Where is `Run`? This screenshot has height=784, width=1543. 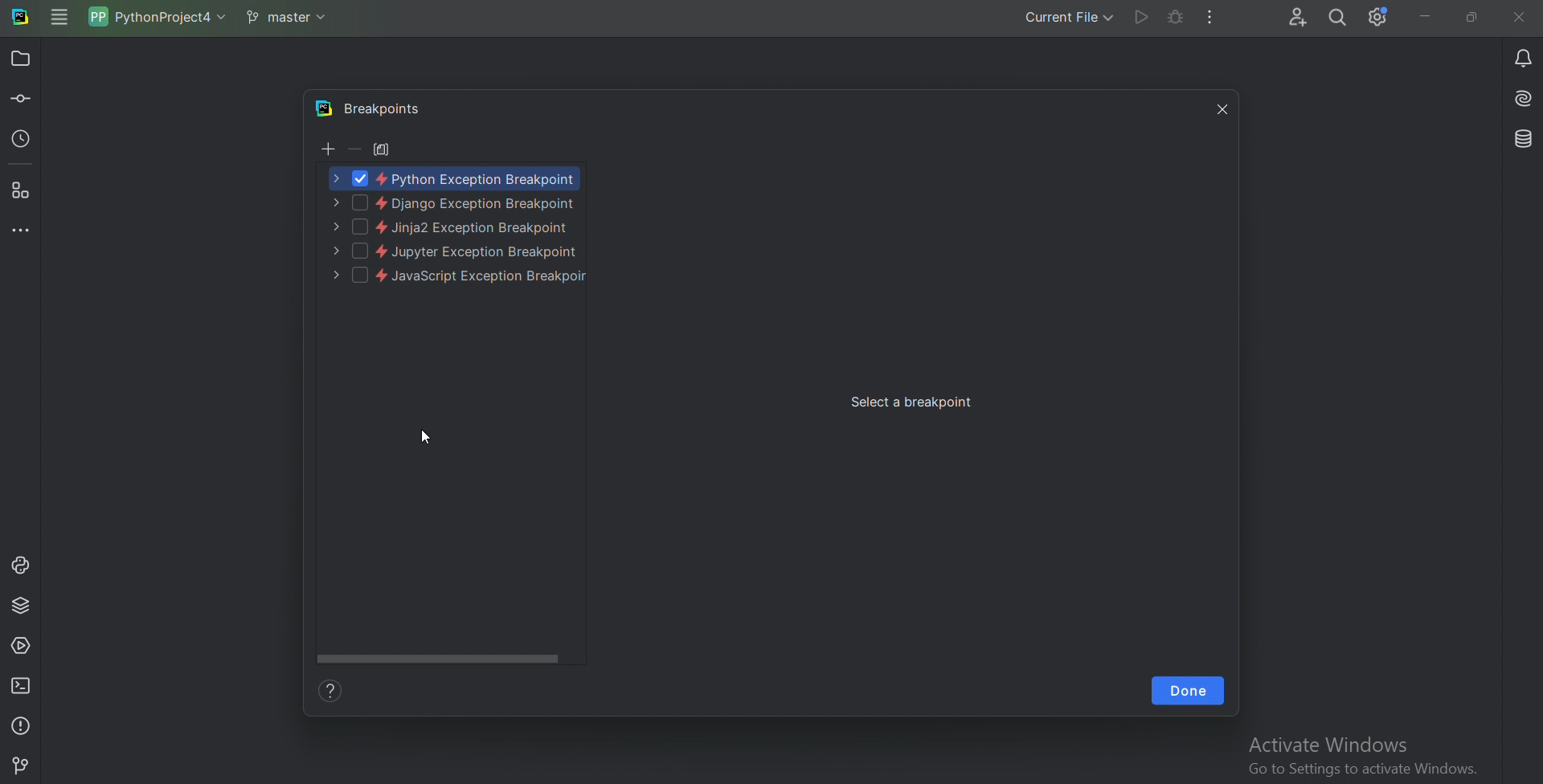
Run is located at coordinates (1140, 18).